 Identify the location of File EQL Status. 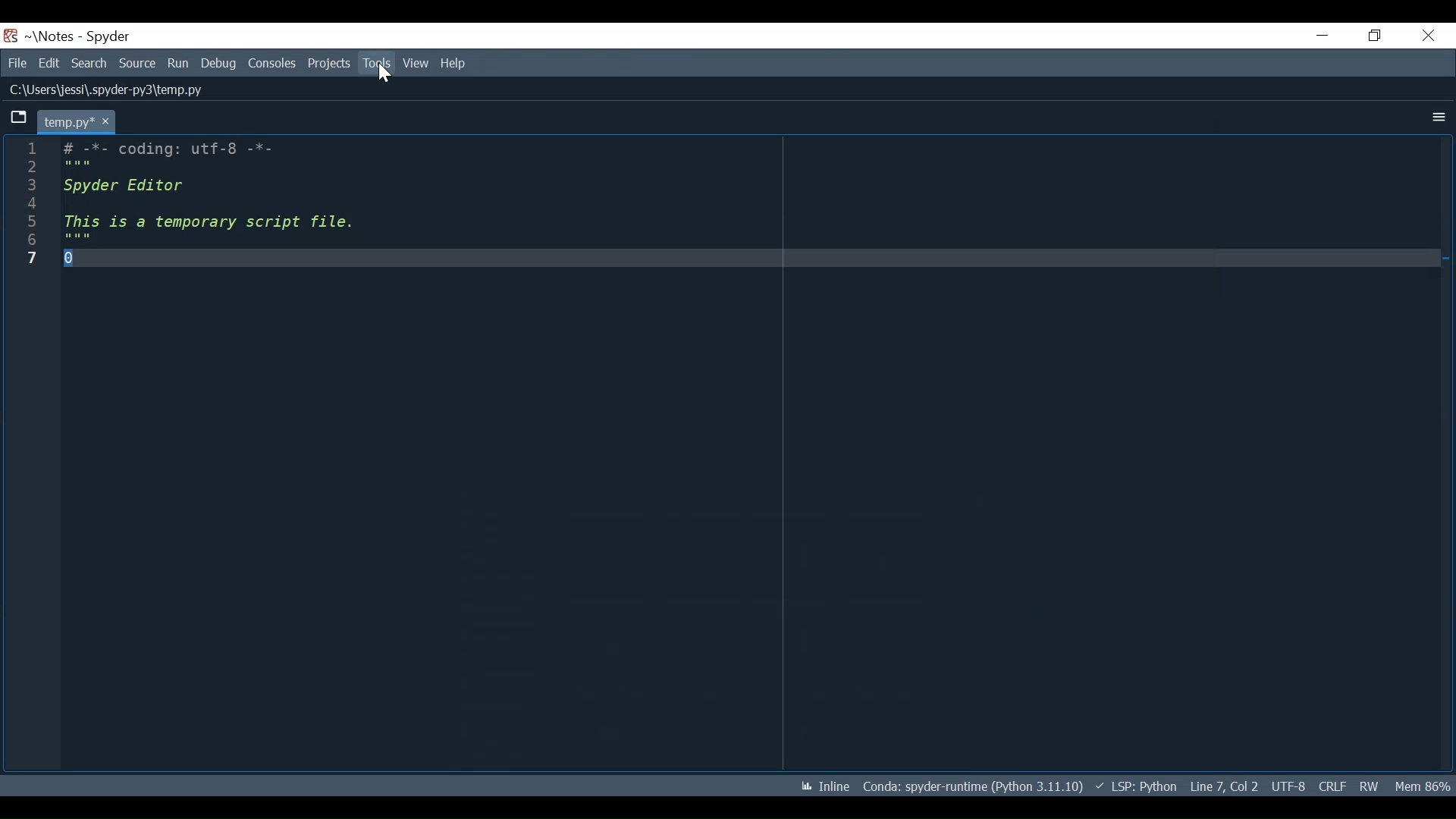
(1335, 784).